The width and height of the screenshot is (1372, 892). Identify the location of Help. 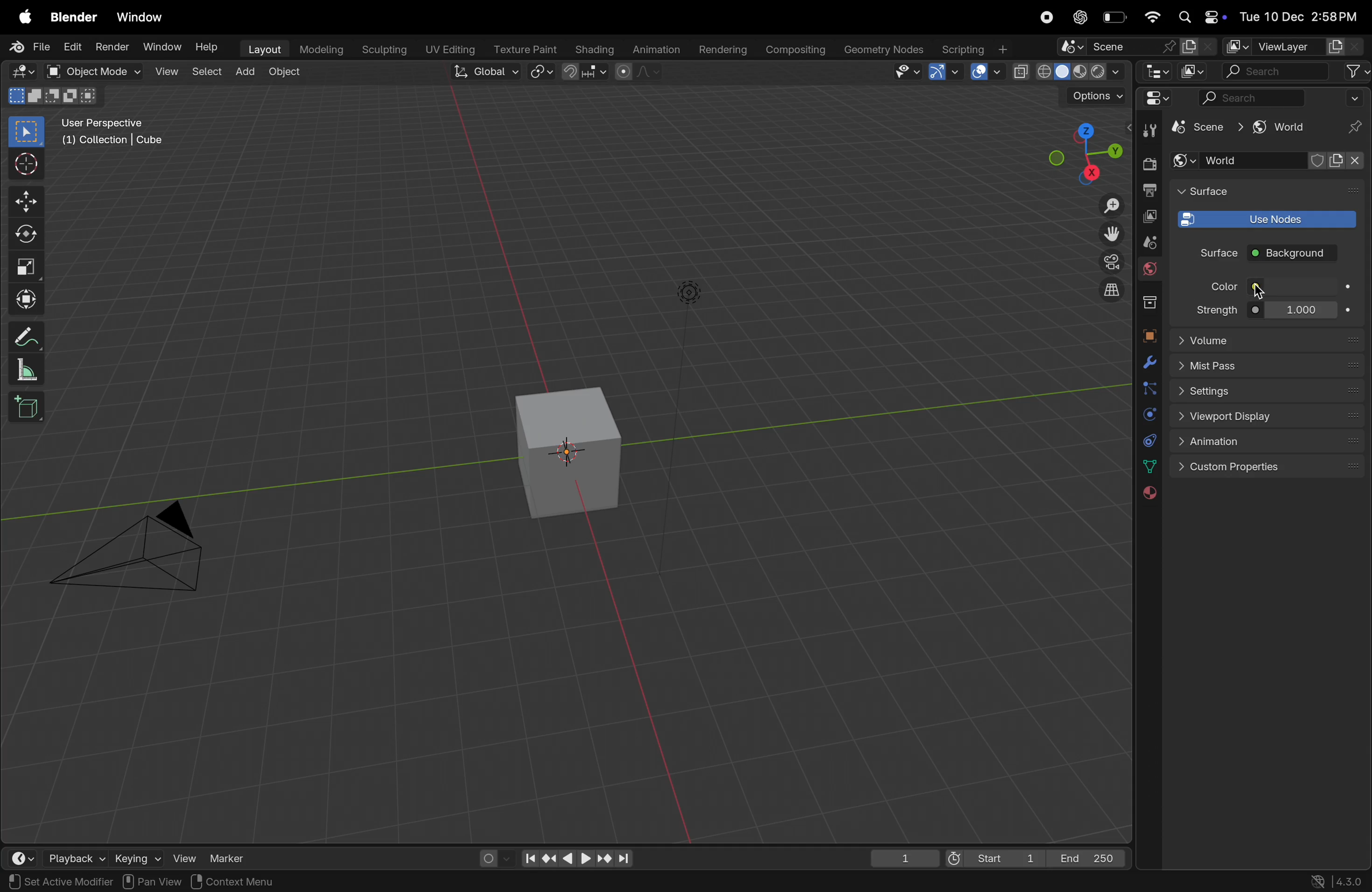
(206, 47).